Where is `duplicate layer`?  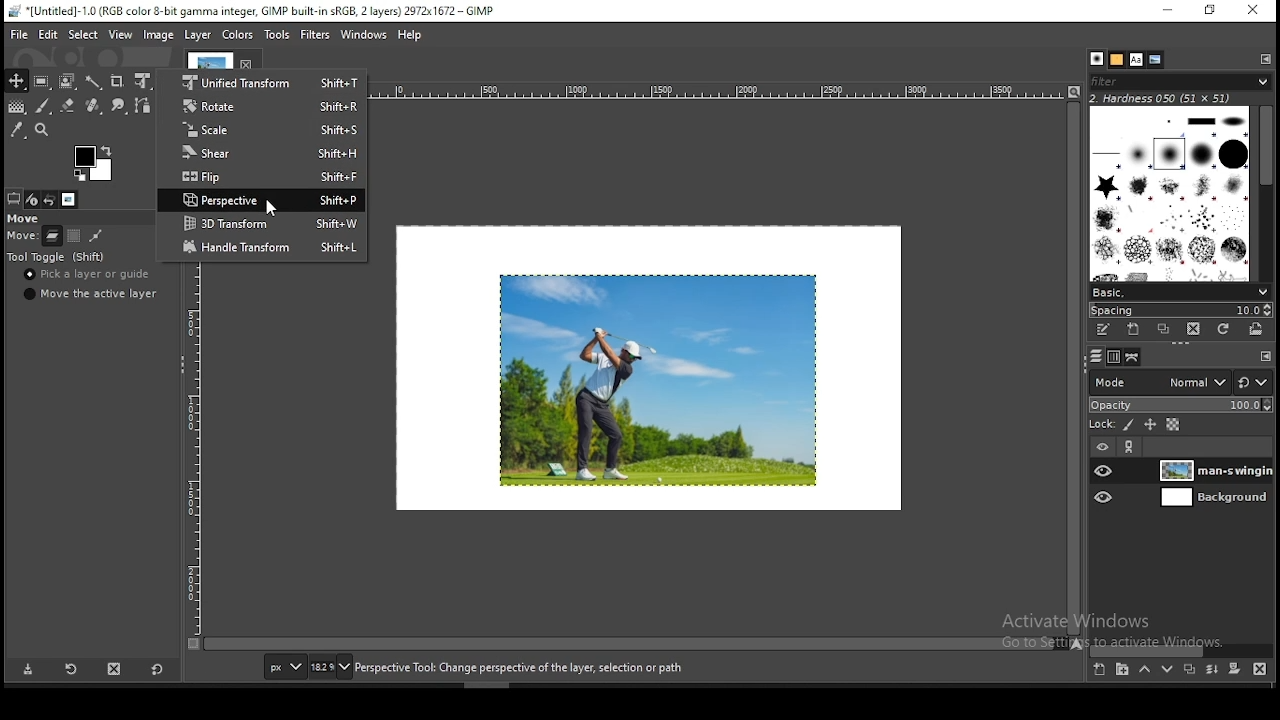 duplicate layer is located at coordinates (1190, 668).